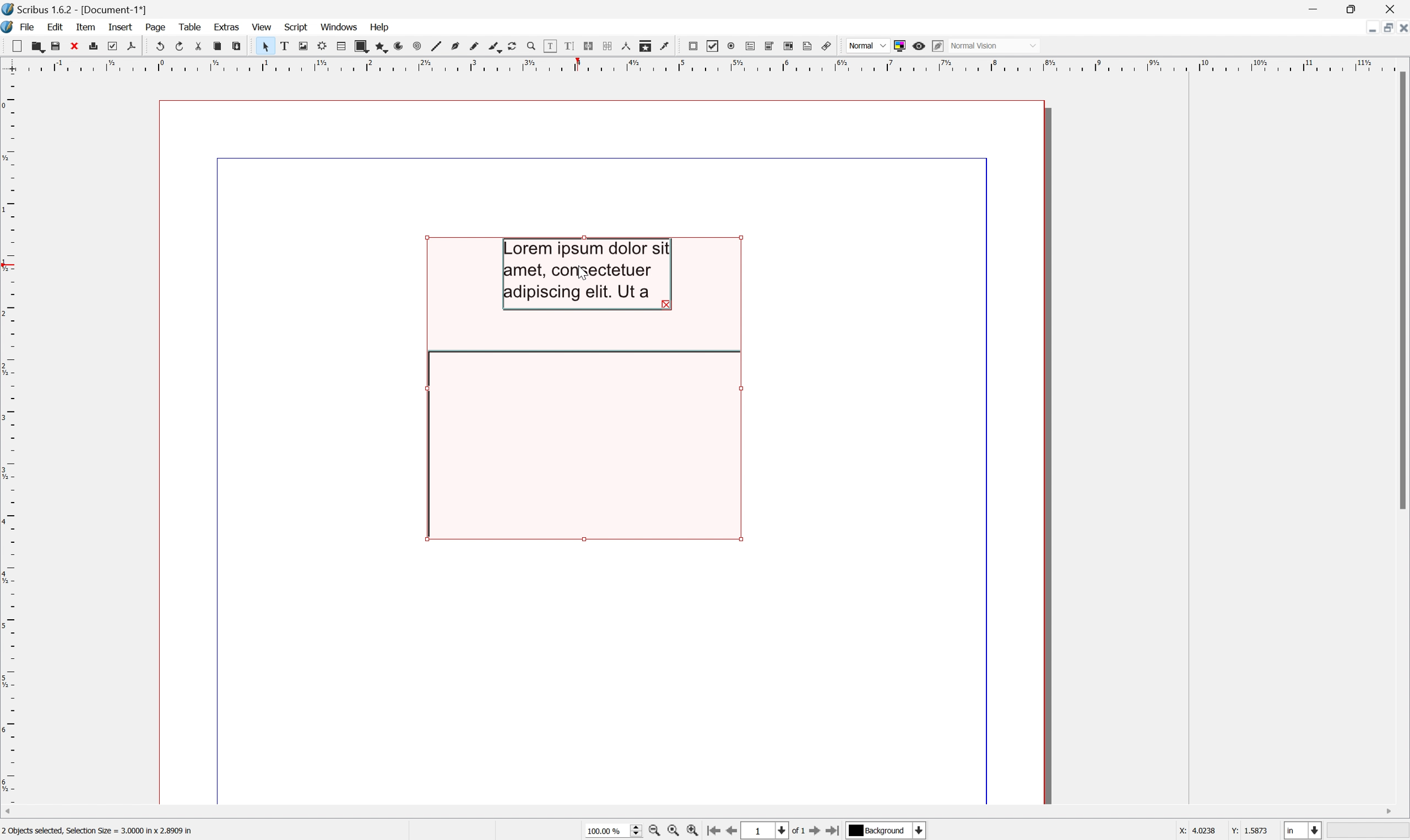  I want to click on Freehand line, so click(473, 48).